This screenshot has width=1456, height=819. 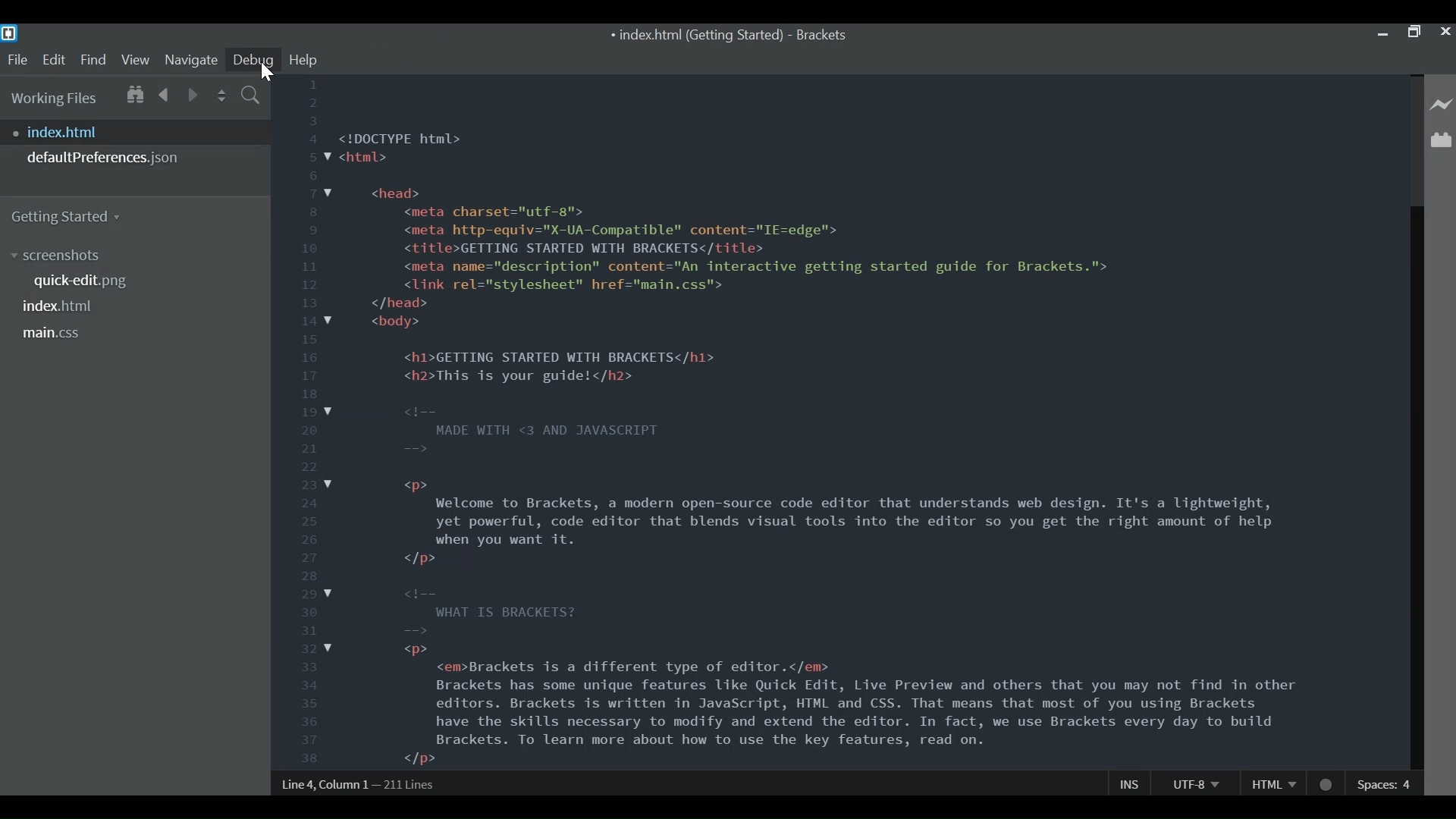 I want to click on Ins, so click(x=1131, y=783).